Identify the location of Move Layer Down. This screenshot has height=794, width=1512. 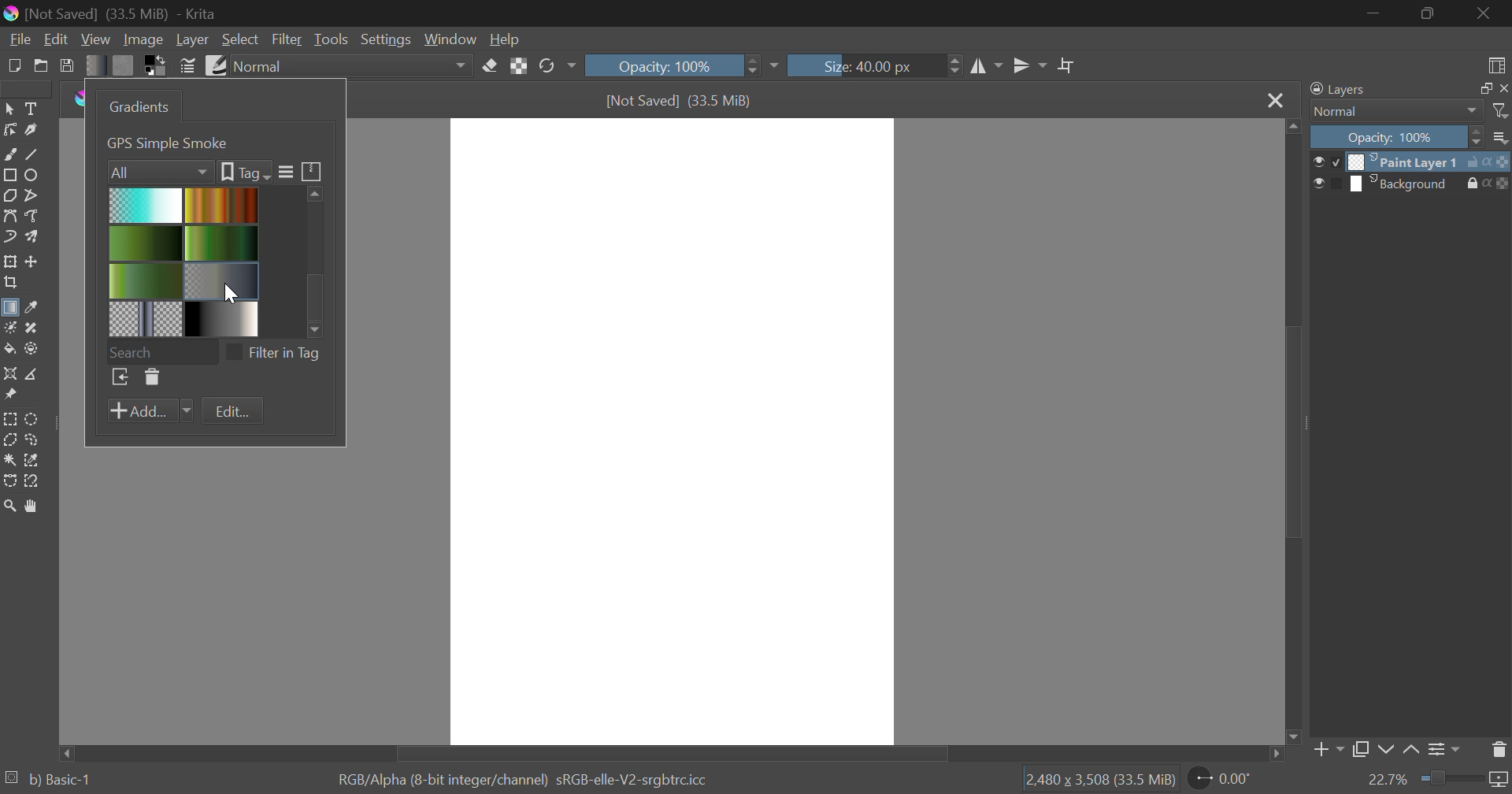
(1386, 751).